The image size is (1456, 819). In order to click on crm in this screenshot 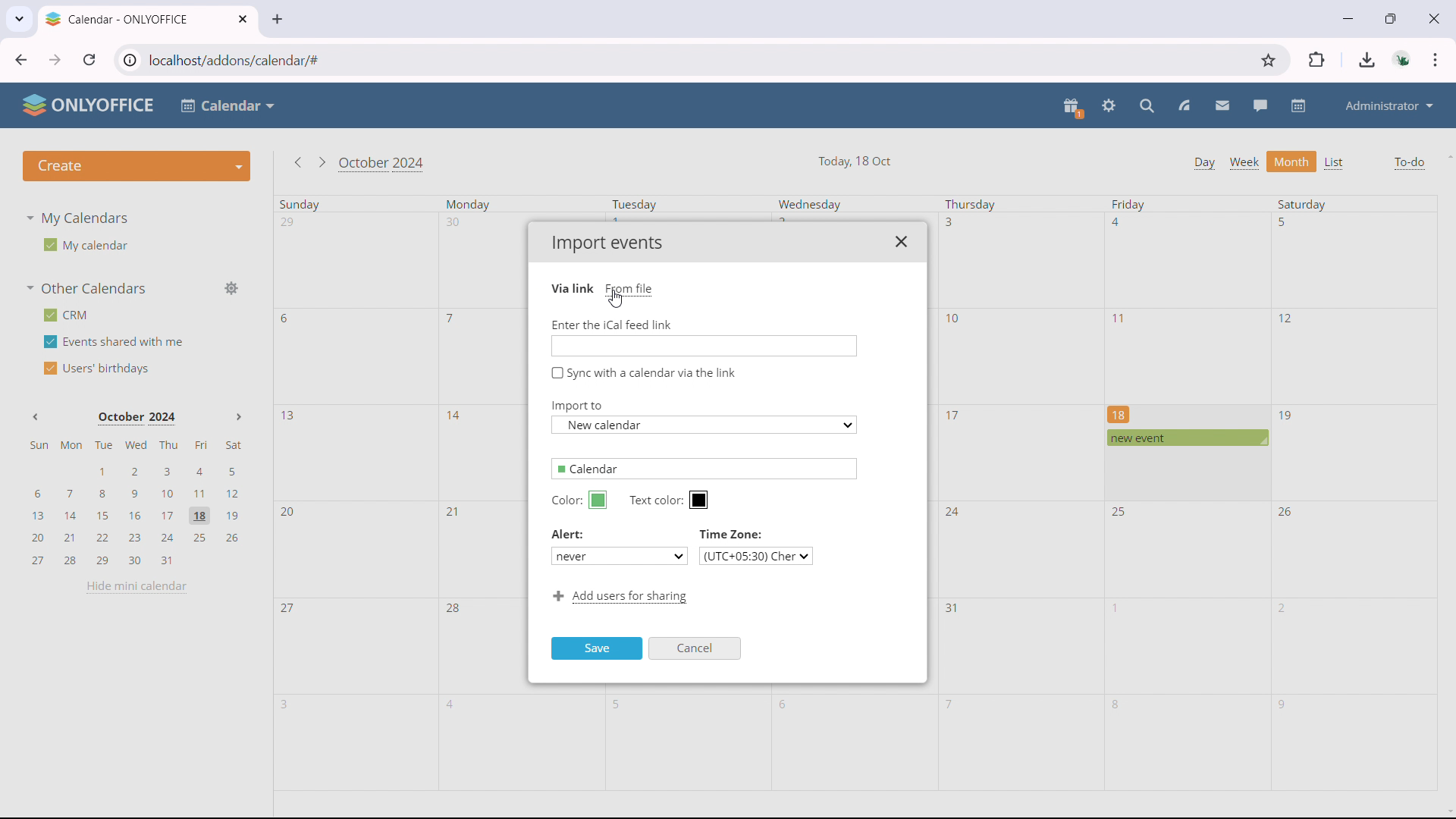, I will do `click(66, 315)`.